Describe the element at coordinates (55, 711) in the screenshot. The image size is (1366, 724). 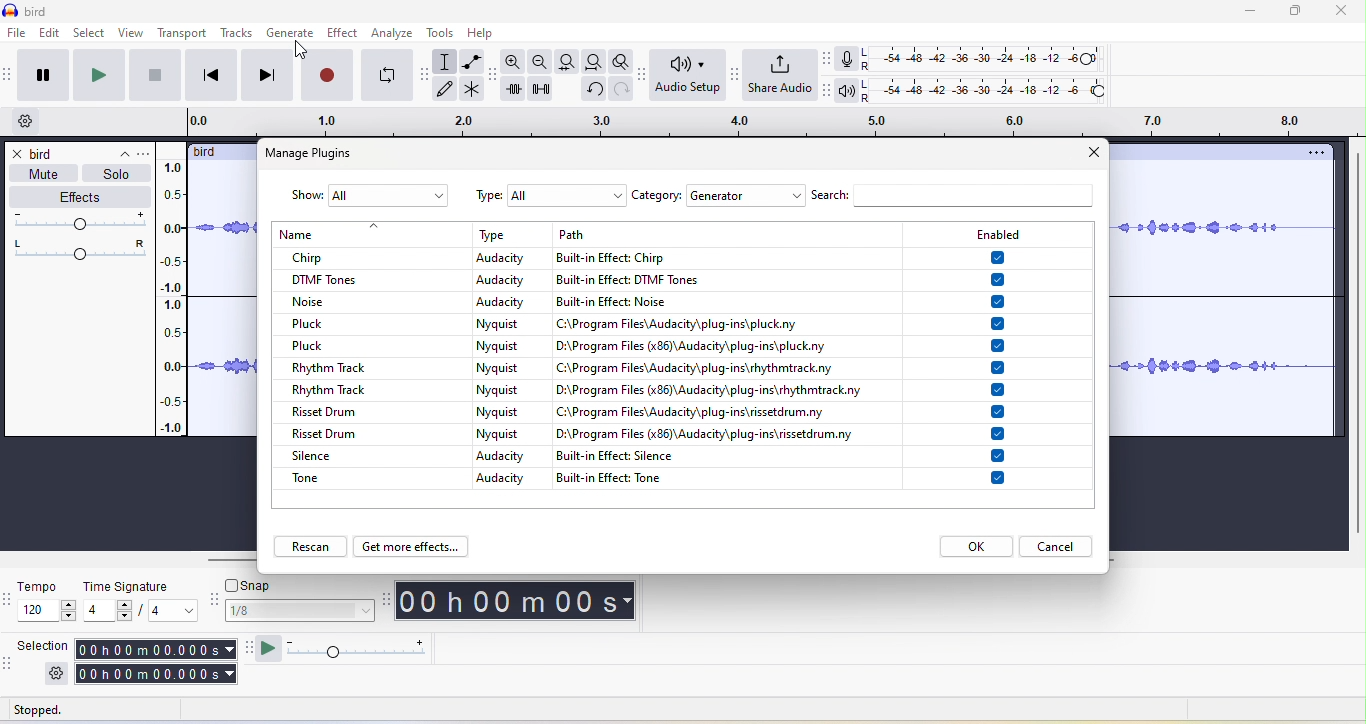
I see `stopped` at that location.